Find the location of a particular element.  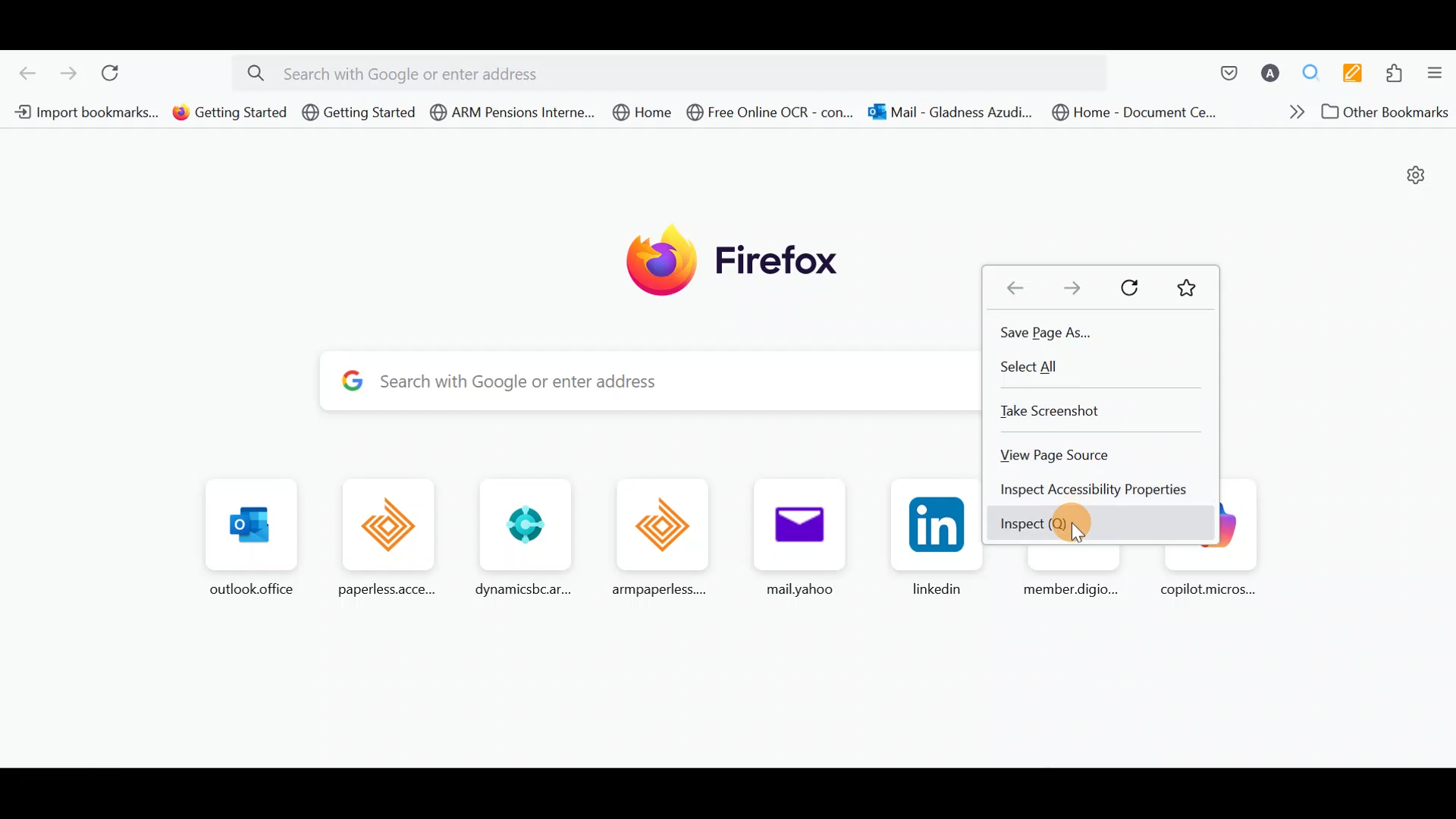

Show more bookmarks is located at coordinates (1282, 113).